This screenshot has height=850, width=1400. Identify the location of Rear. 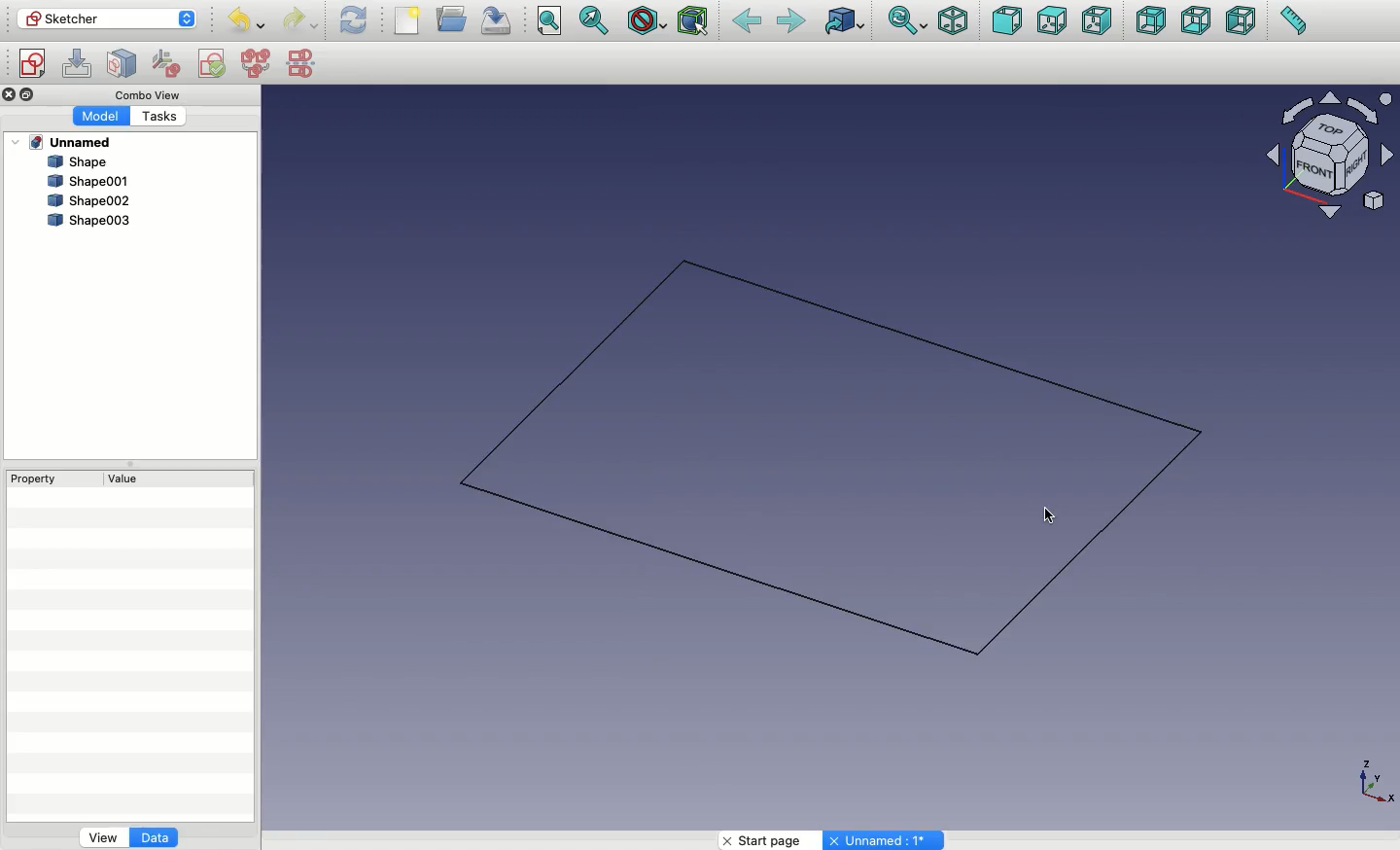
(1150, 20).